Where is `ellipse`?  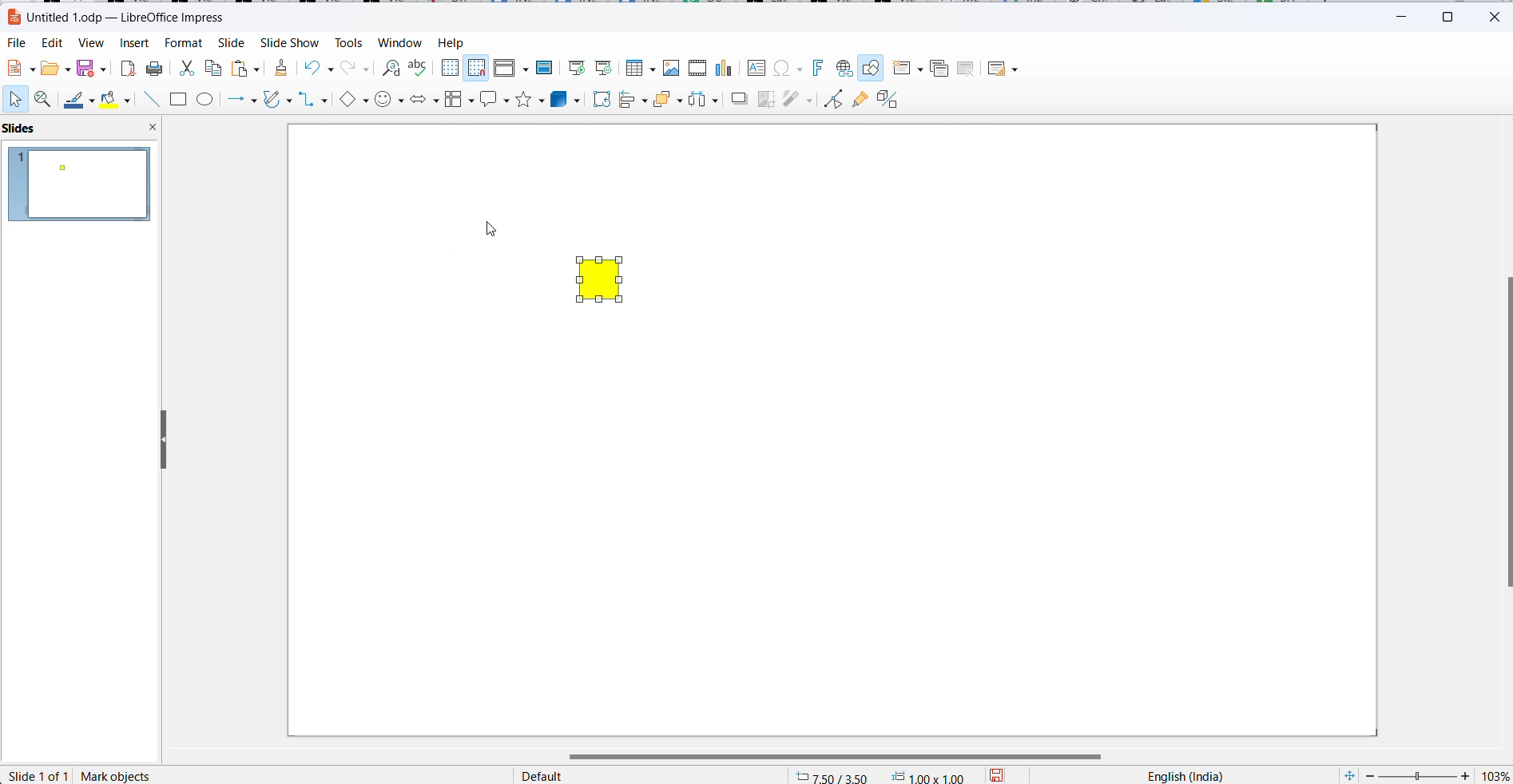
ellipse is located at coordinates (208, 101).